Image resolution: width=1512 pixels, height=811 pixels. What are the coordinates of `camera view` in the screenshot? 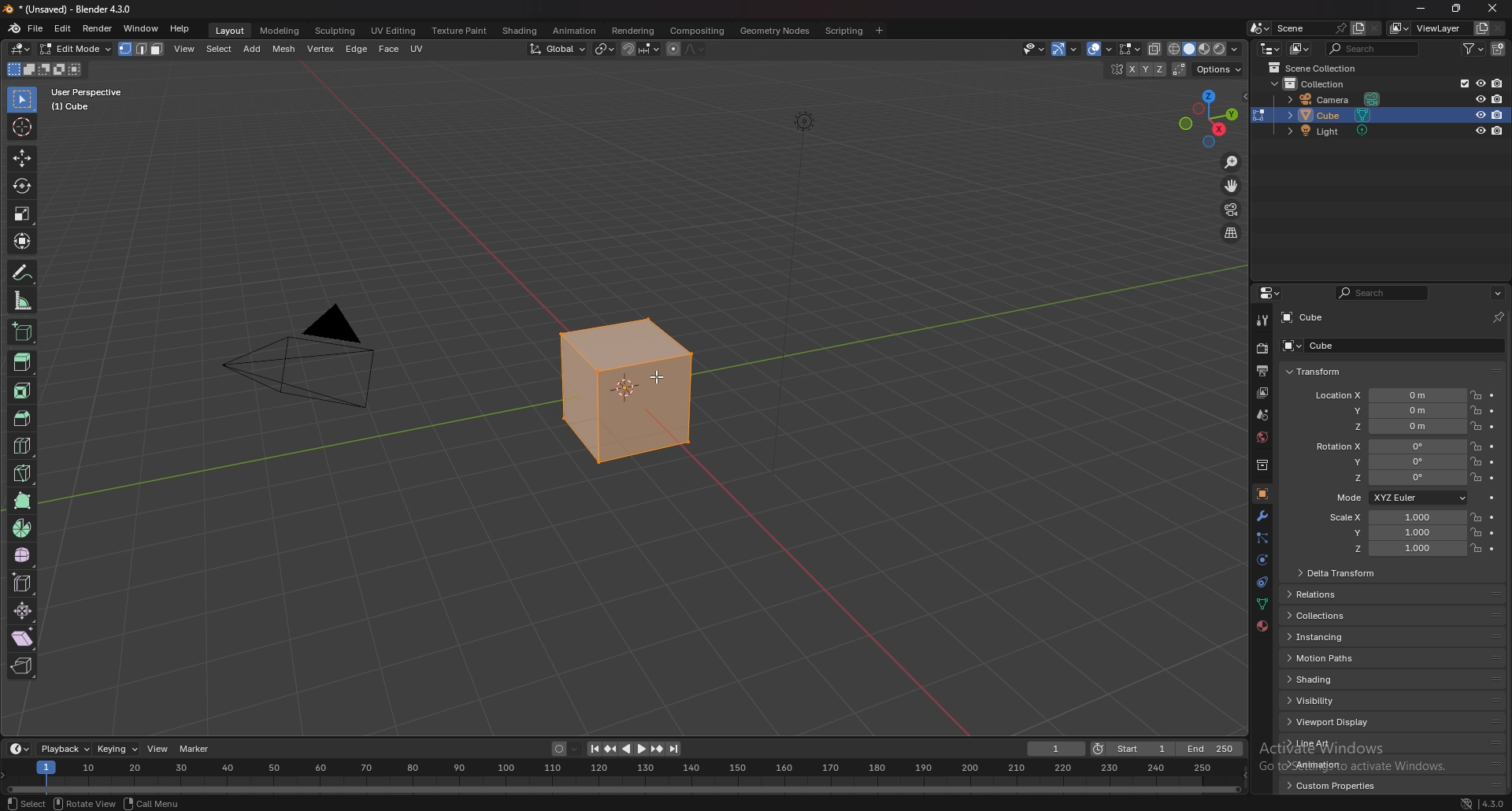 It's located at (1232, 209).